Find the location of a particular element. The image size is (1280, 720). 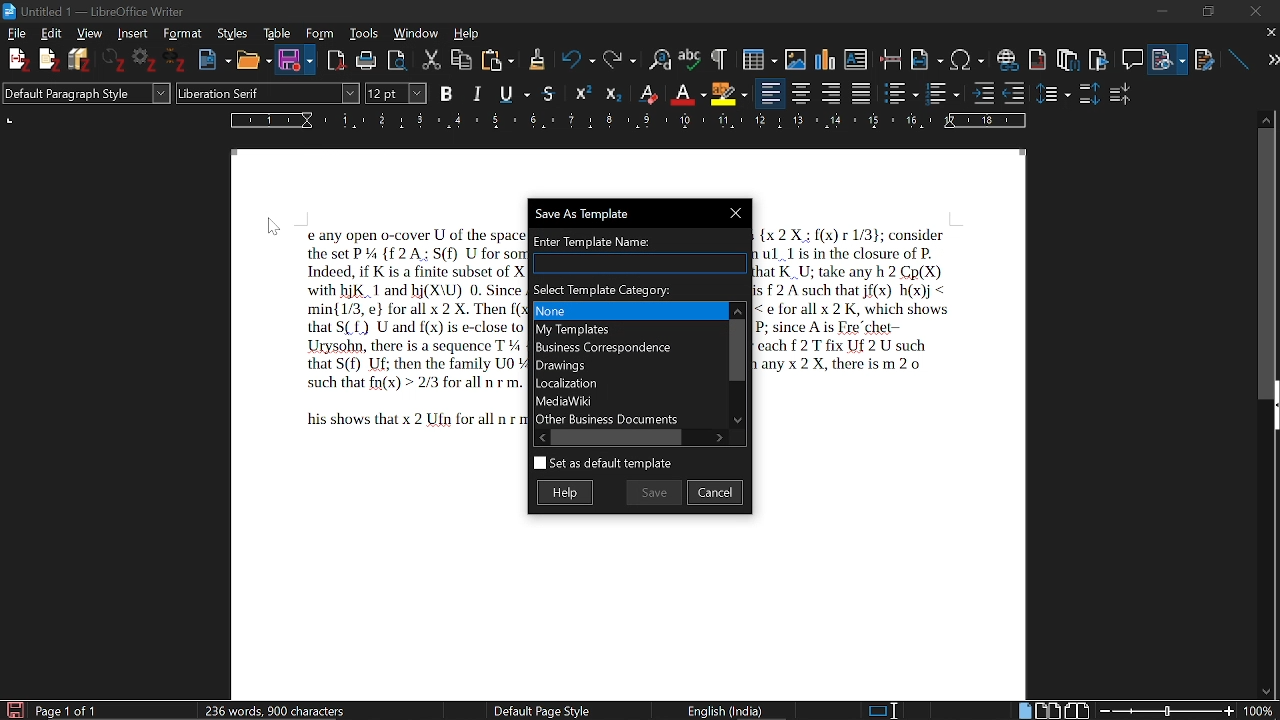

 is located at coordinates (49, 61).